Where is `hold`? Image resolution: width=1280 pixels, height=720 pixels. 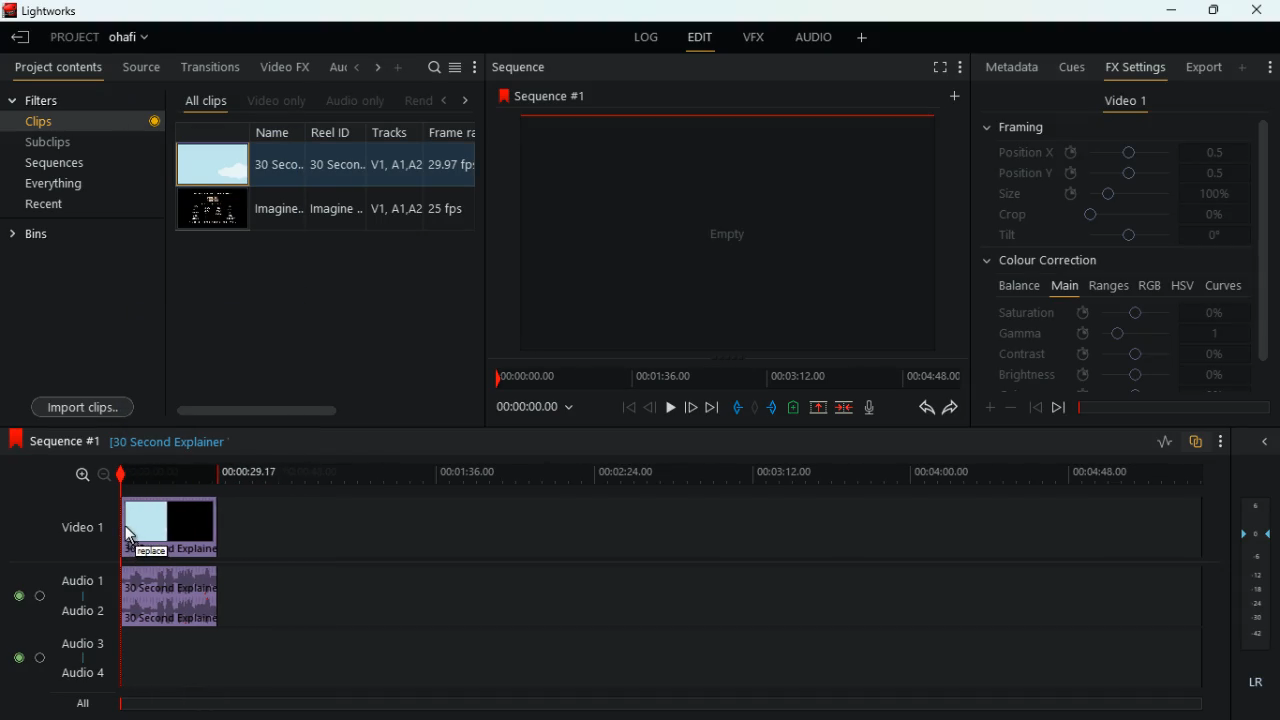 hold is located at coordinates (755, 408).